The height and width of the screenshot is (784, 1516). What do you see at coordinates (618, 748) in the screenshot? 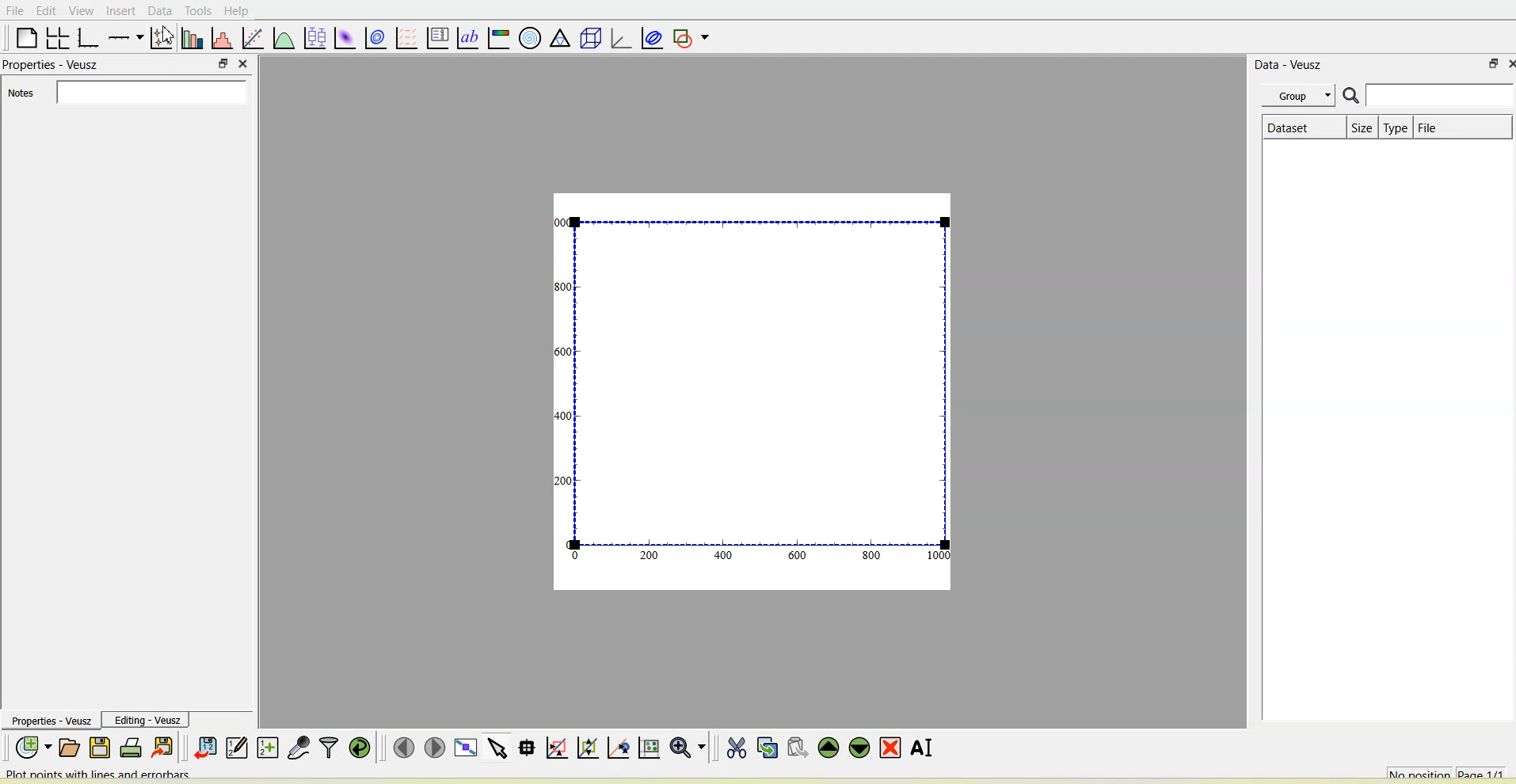
I see `Click to recenter graph axes` at bounding box center [618, 748].